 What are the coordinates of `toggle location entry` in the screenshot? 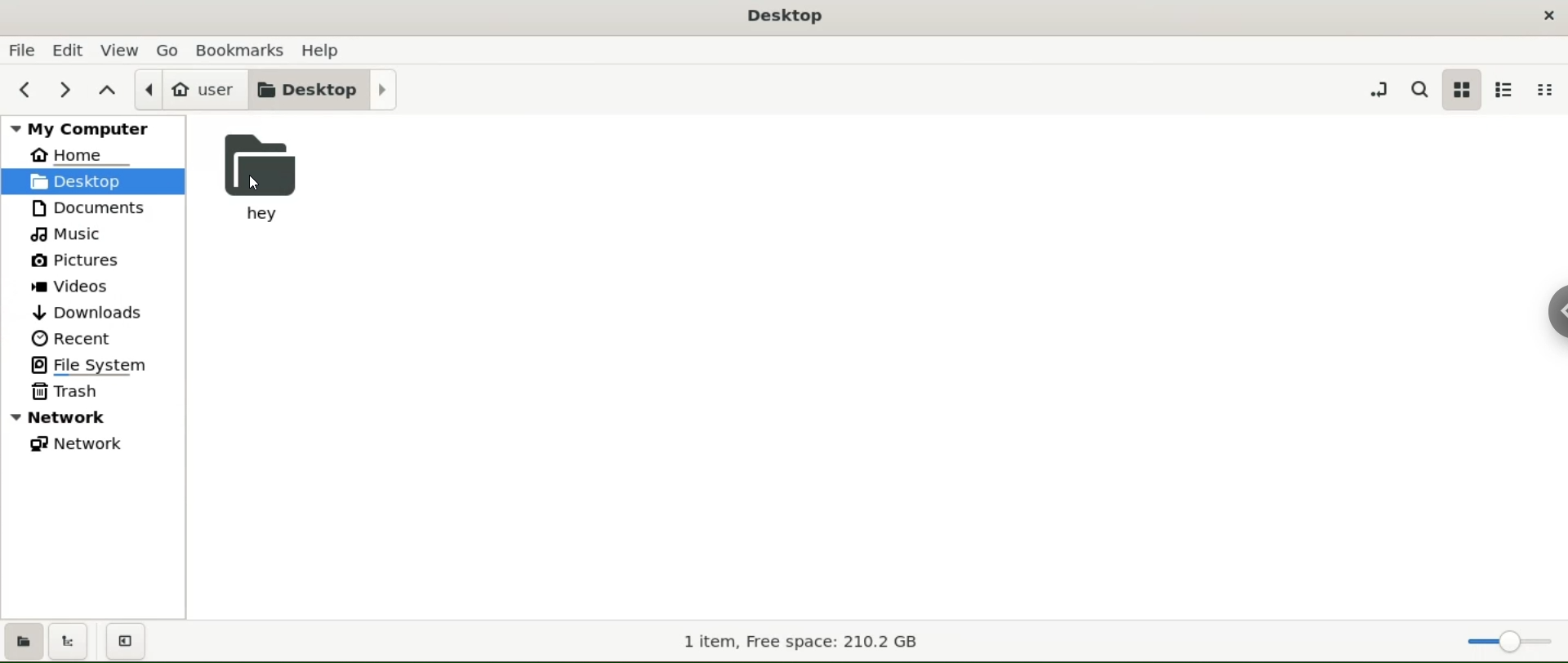 It's located at (1377, 88).